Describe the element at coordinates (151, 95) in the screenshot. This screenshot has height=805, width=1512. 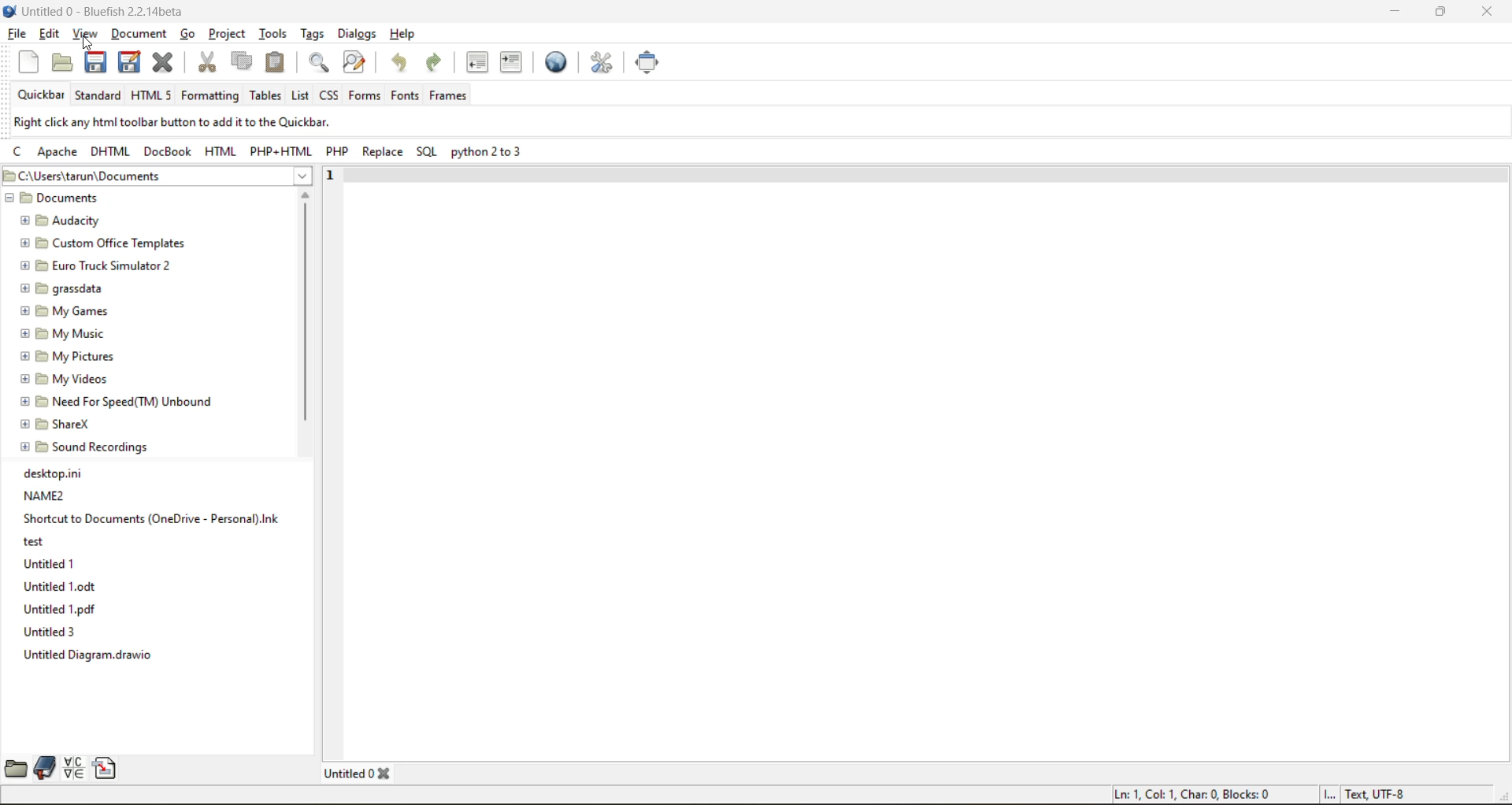
I see `html 5` at that location.